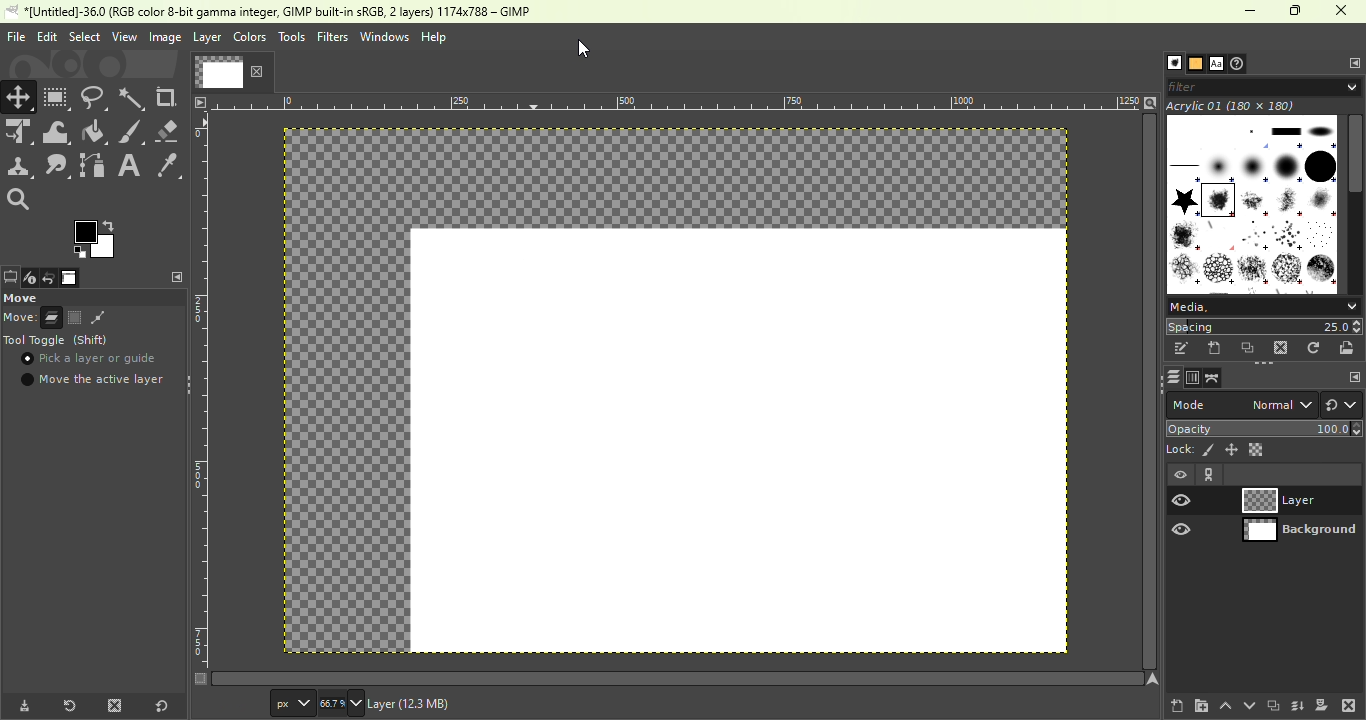  Describe the element at coordinates (60, 341) in the screenshot. I see `tool toggle ` at that location.